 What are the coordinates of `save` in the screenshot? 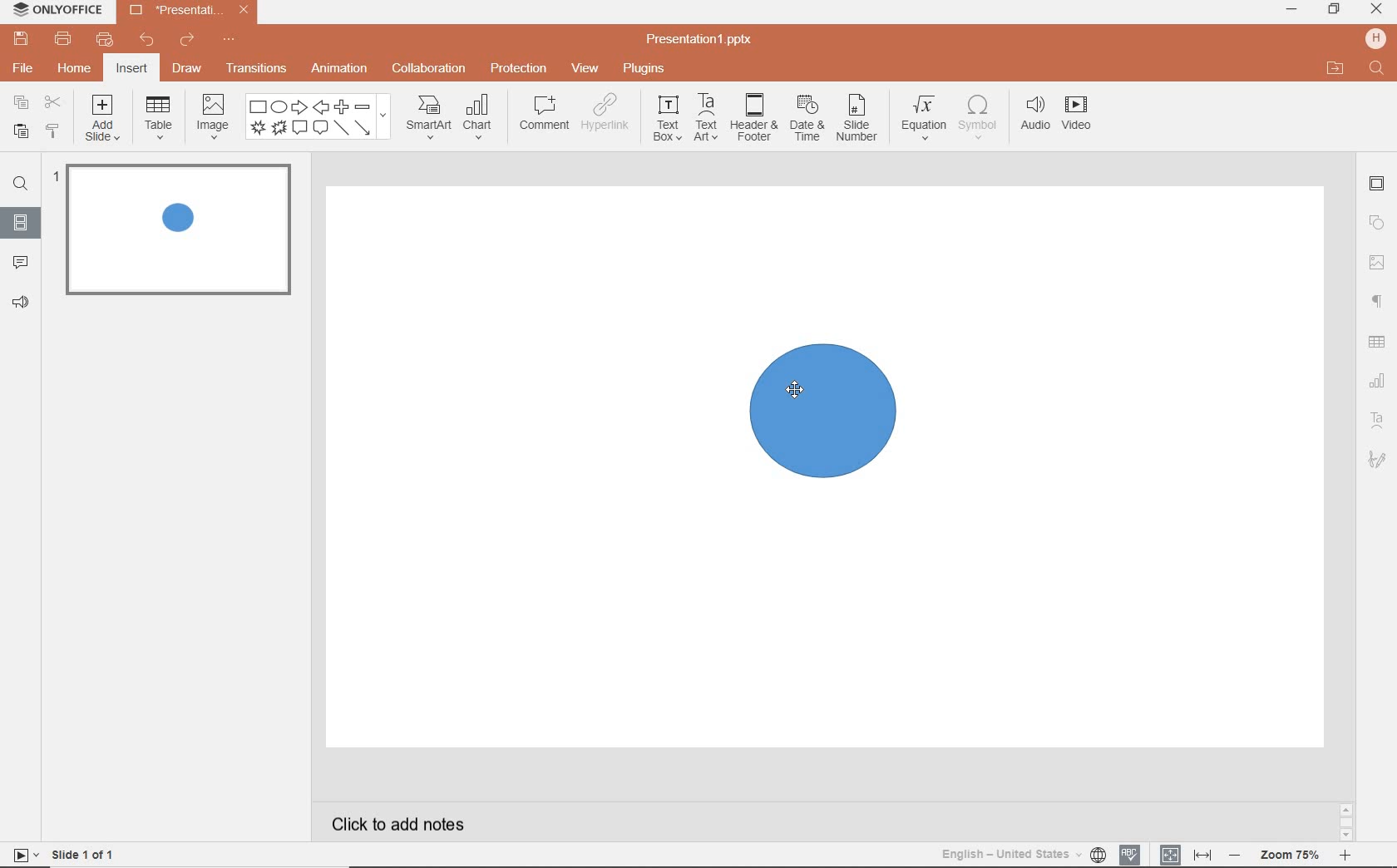 It's located at (19, 38).